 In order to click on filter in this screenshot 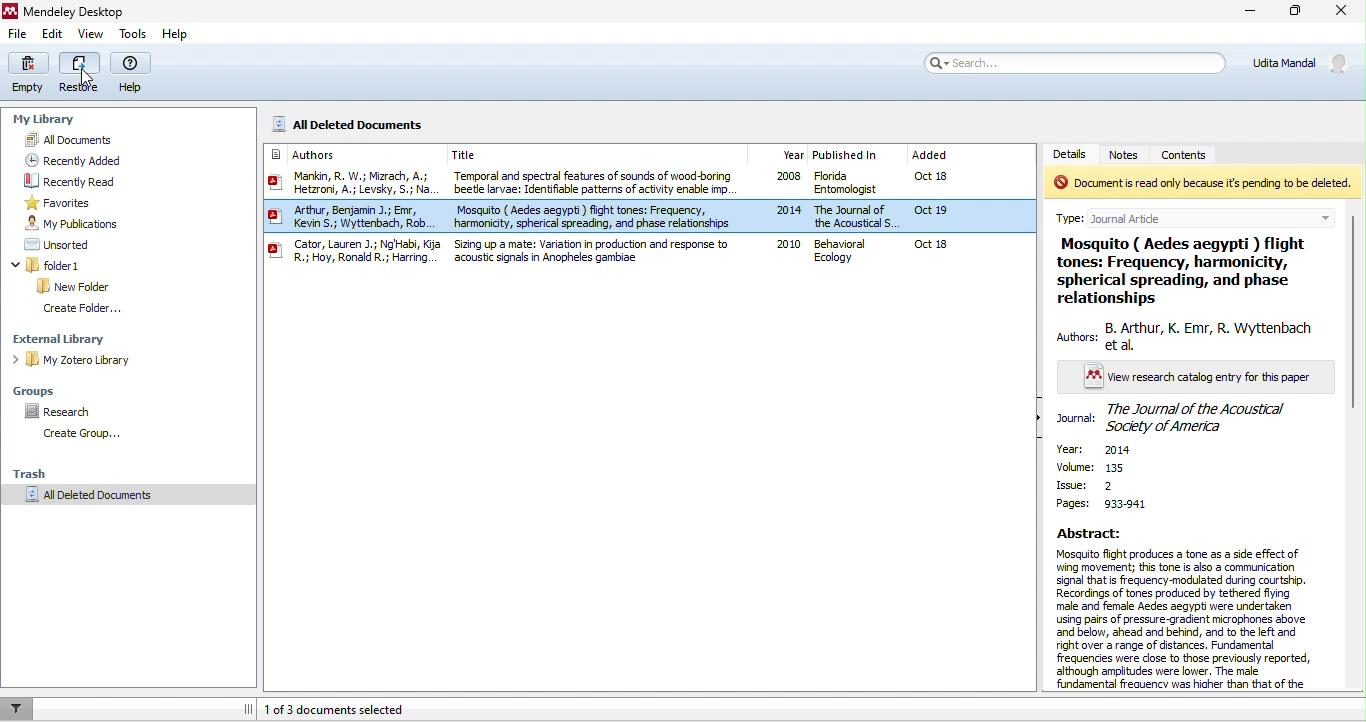, I will do `click(15, 708)`.